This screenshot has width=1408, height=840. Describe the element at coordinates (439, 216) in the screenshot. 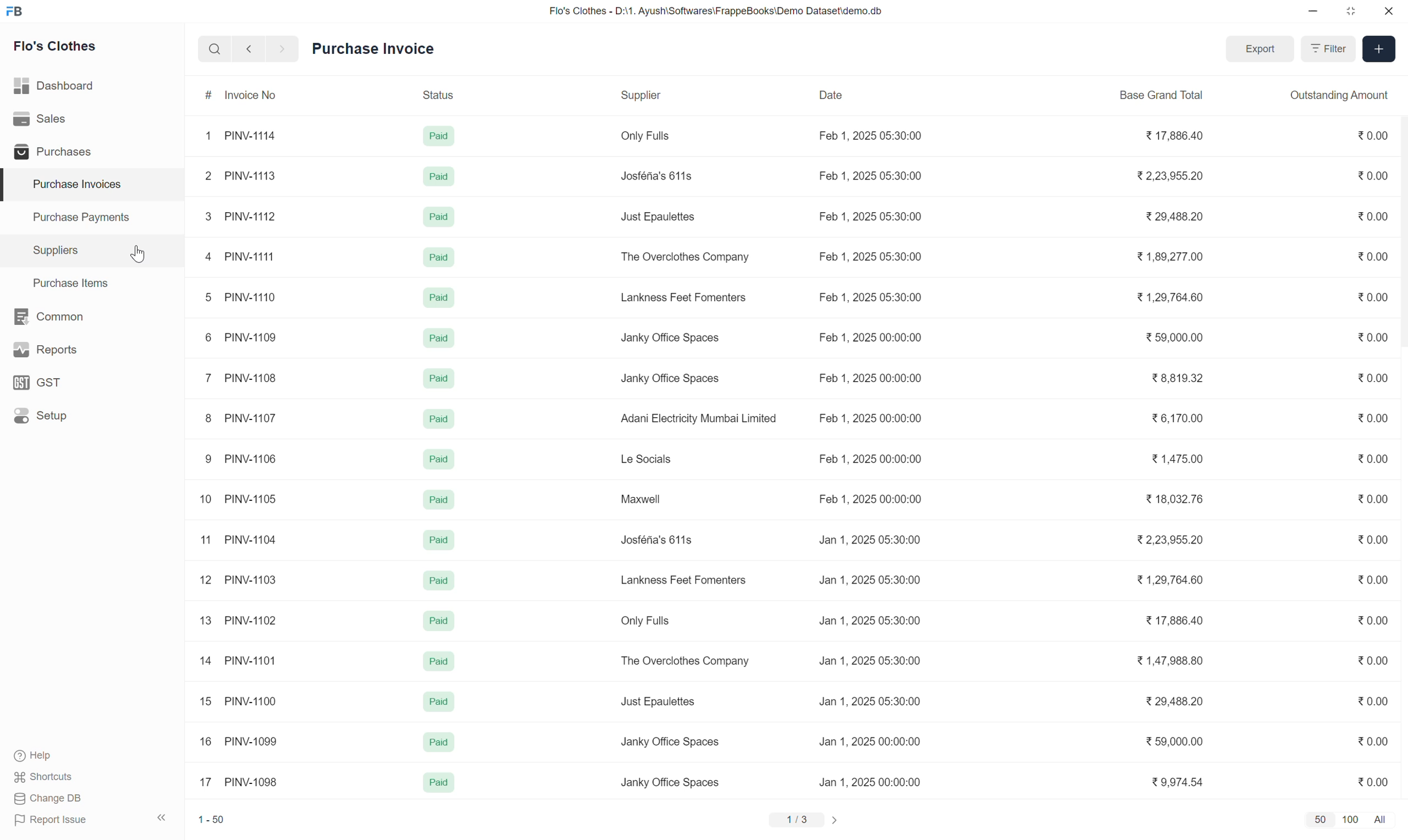

I see `Paid` at that location.